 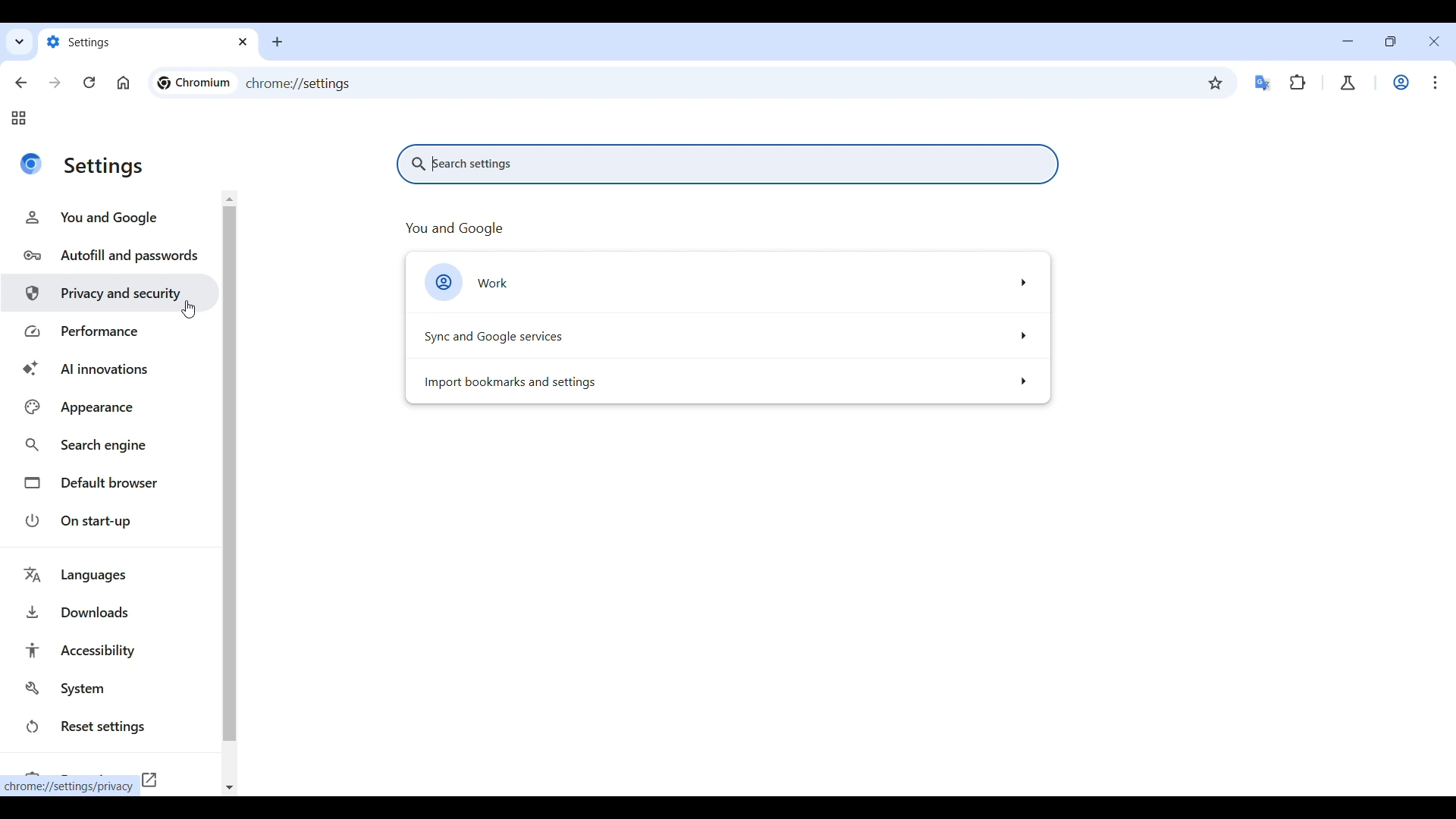 What do you see at coordinates (111, 331) in the screenshot?
I see `Performance` at bounding box center [111, 331].